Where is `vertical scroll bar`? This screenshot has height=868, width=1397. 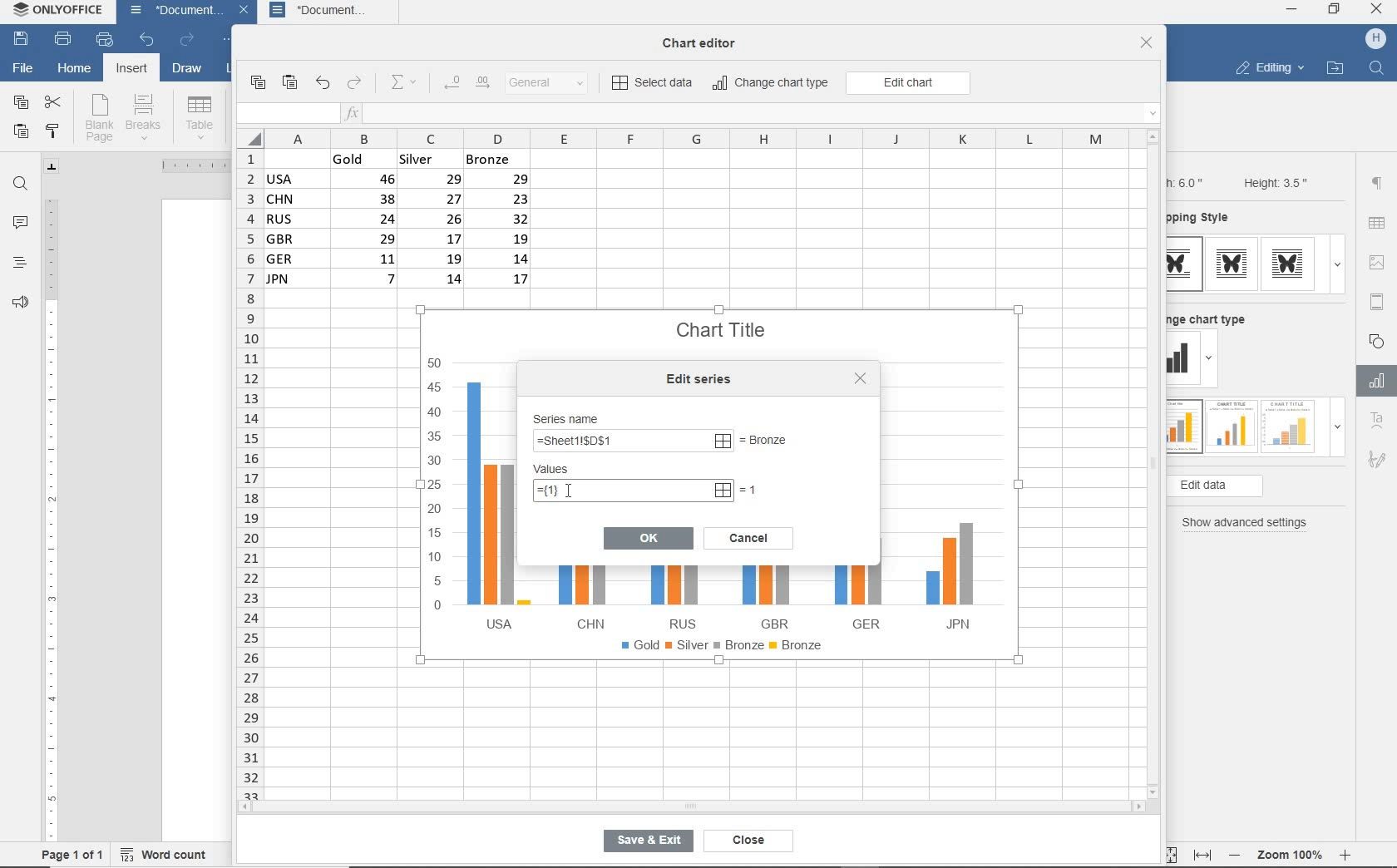 vertical scroll bar is located at coordinates (1158, 463).